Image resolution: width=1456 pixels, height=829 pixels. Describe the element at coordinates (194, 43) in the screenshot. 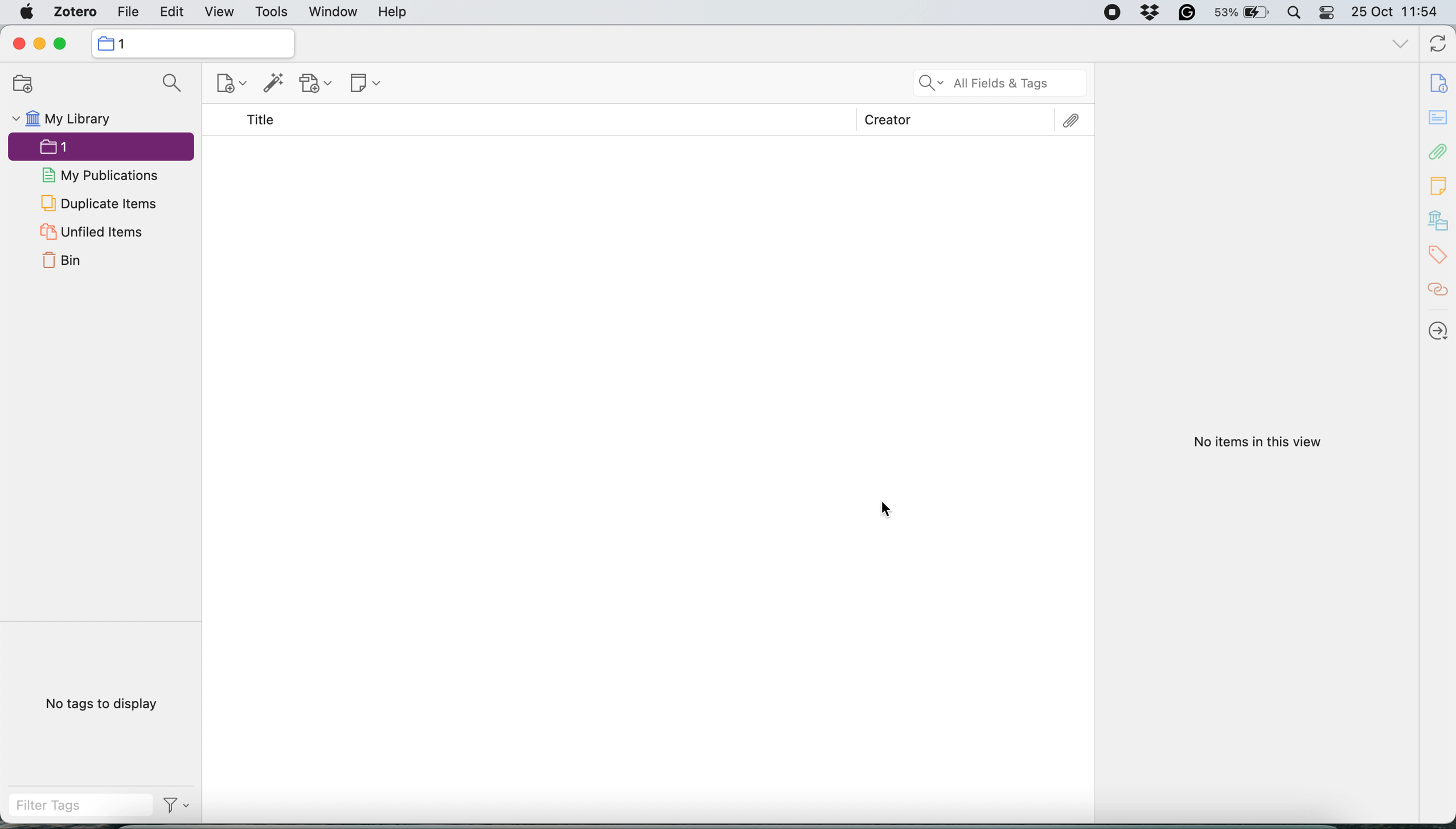

I see `my library` at that location.